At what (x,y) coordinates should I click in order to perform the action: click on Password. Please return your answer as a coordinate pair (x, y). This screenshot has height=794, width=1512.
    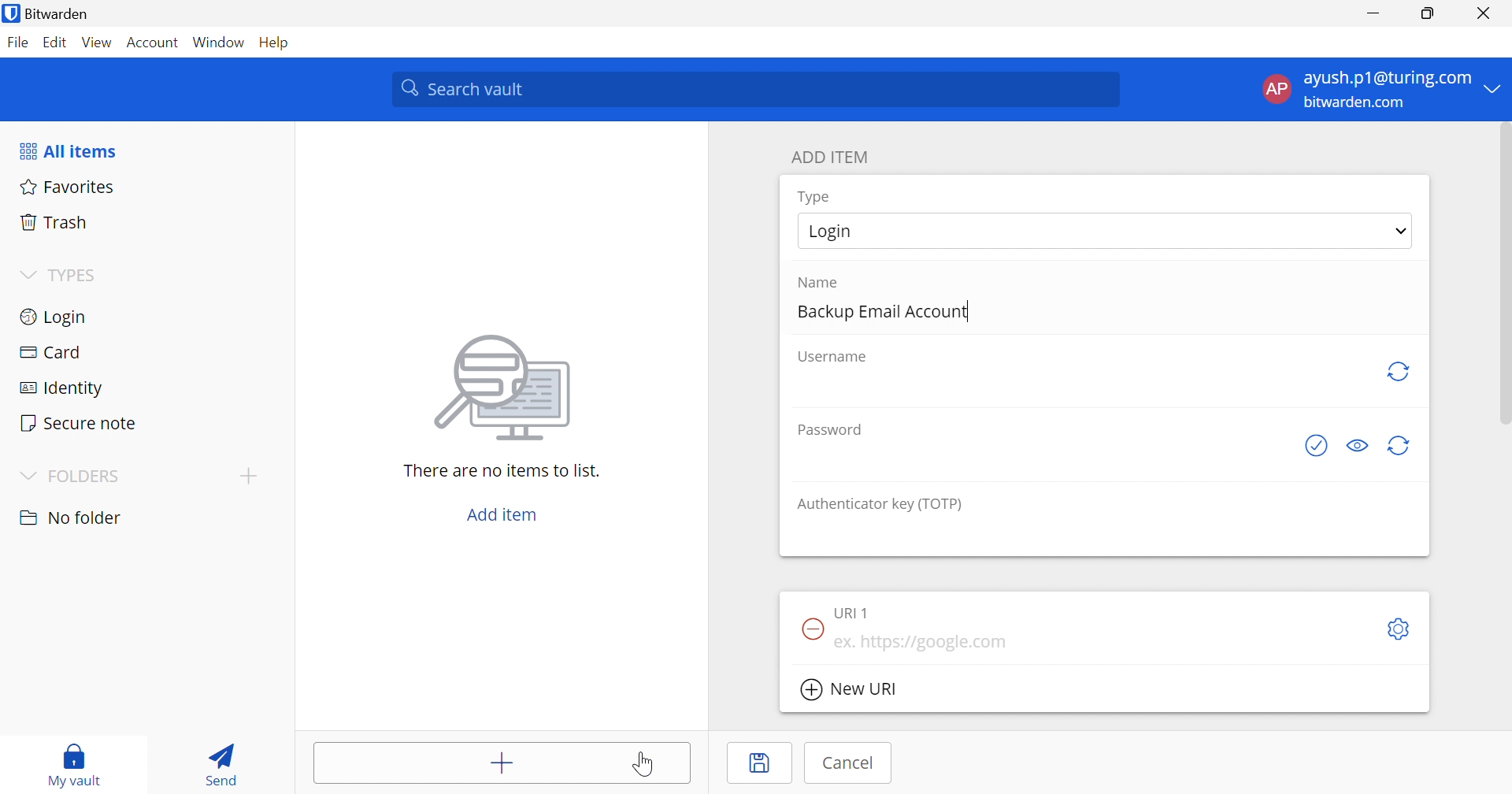
    Looking at the image, I should click on (831, 429).